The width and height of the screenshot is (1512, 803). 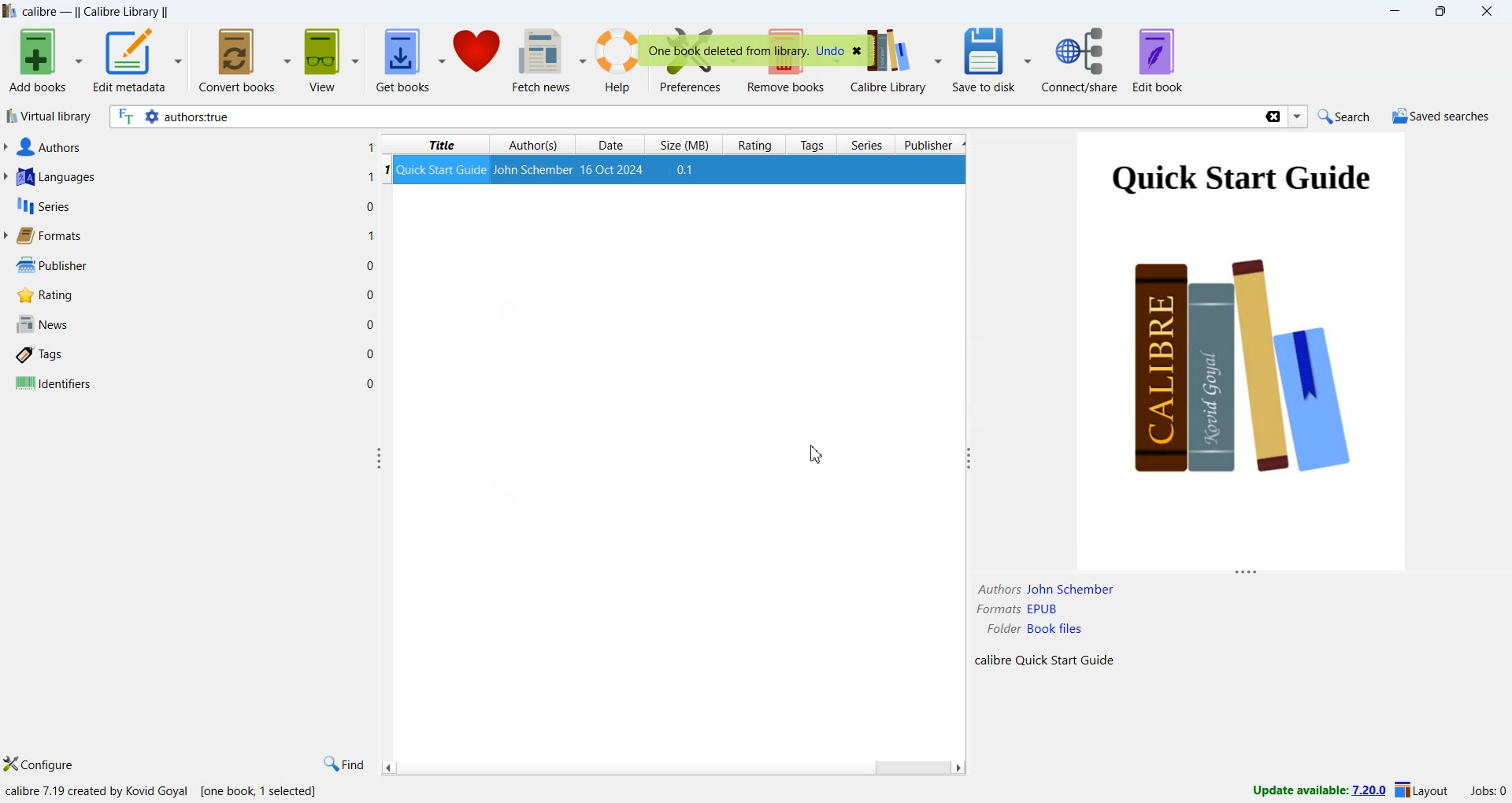 I want to click on fetch news, so click(x=551, y=63).